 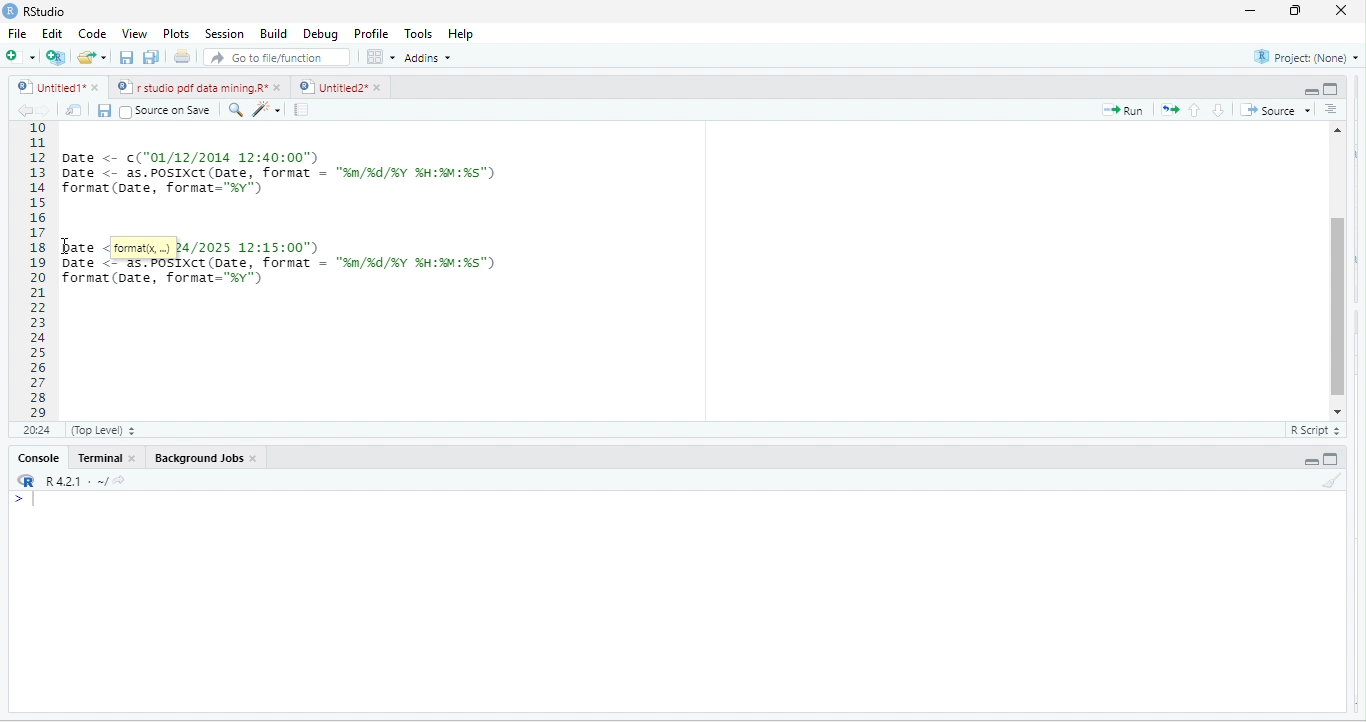 What do you see at coordinates (1335, 109) in the screenshot?
I see `show document outline` at bounding box center [1335, 109].